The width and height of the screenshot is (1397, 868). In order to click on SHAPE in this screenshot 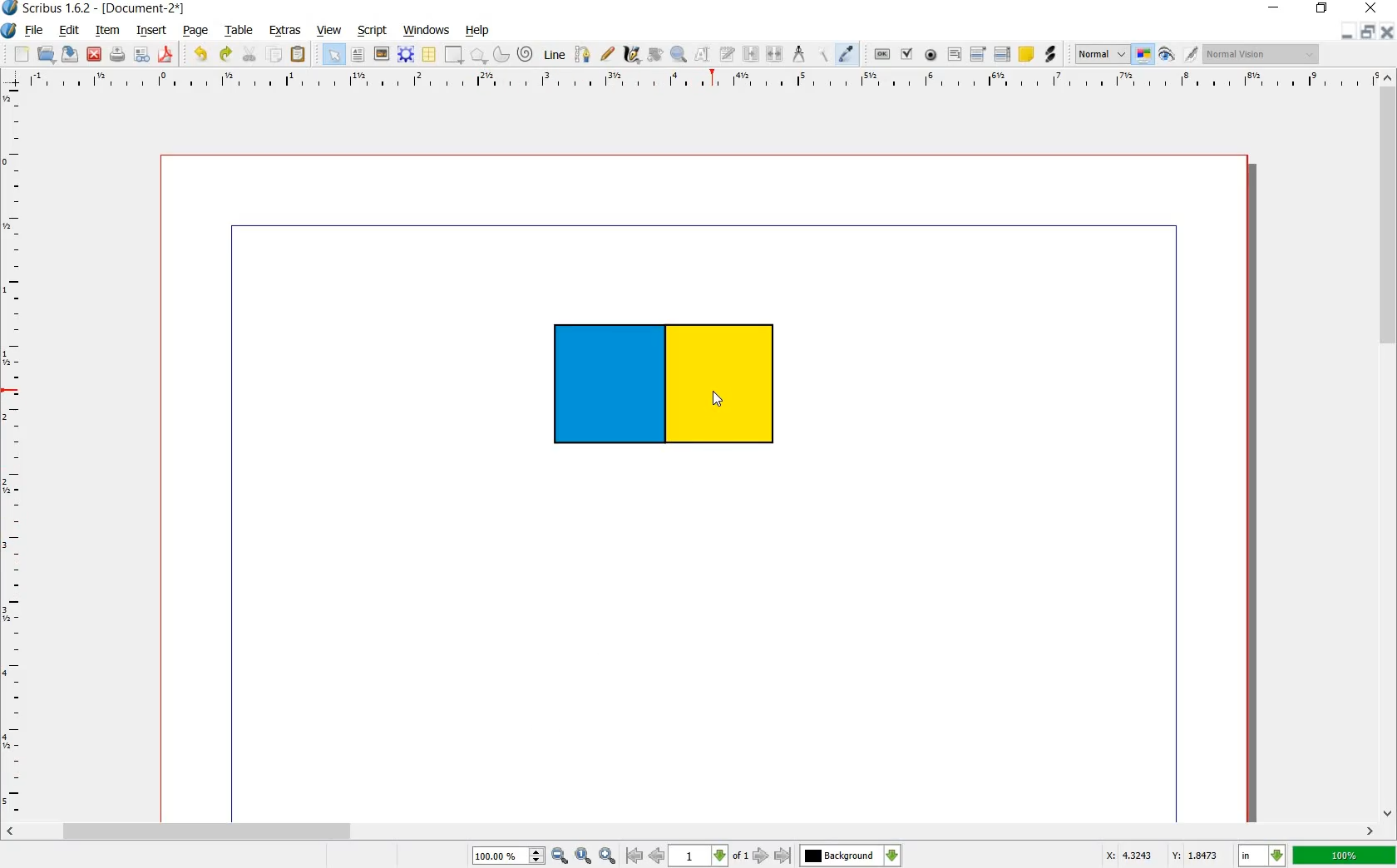, I will do `click(676, 393)`.